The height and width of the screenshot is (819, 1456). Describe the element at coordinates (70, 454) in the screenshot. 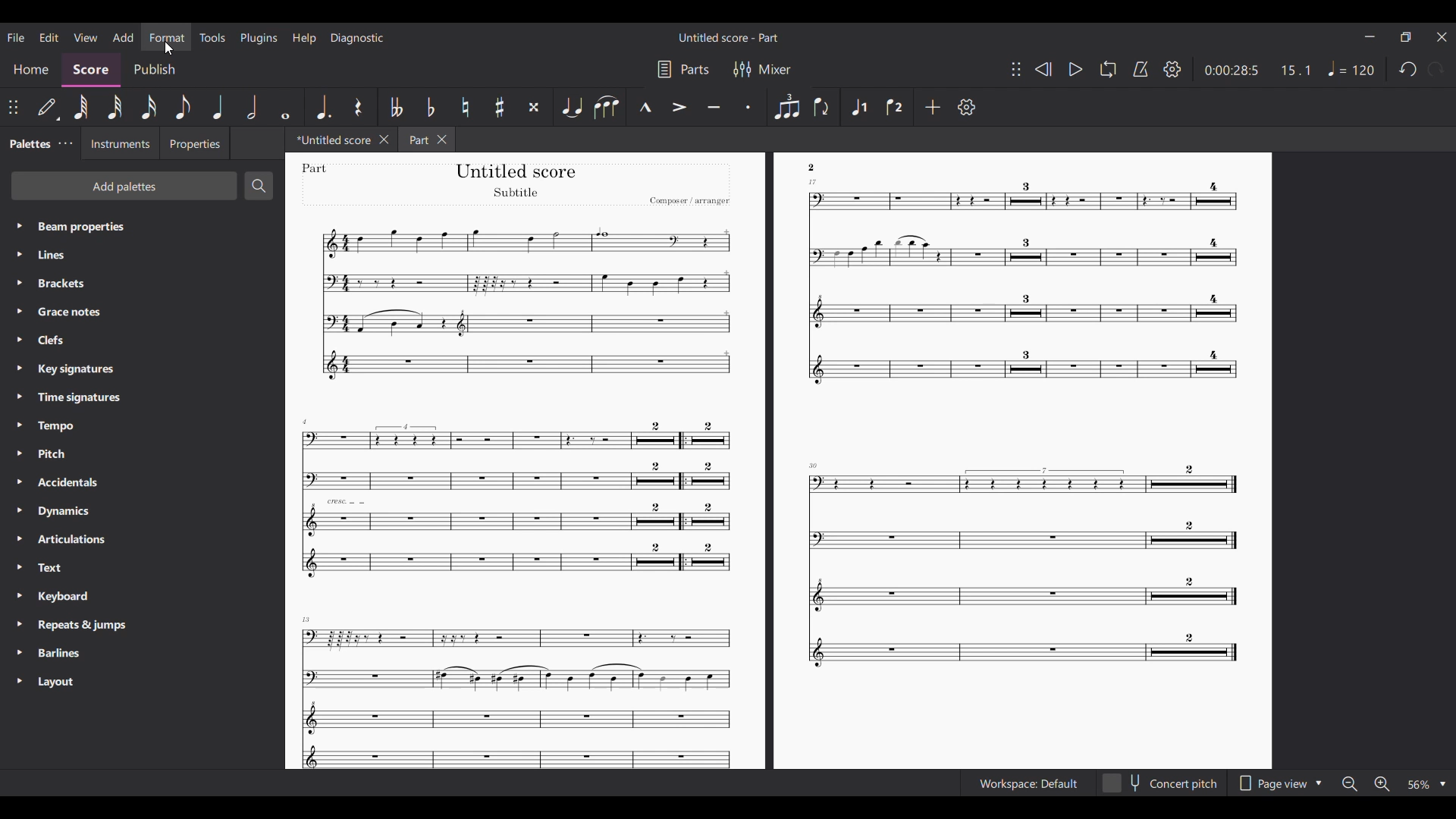

I see `Pitch` at that location.